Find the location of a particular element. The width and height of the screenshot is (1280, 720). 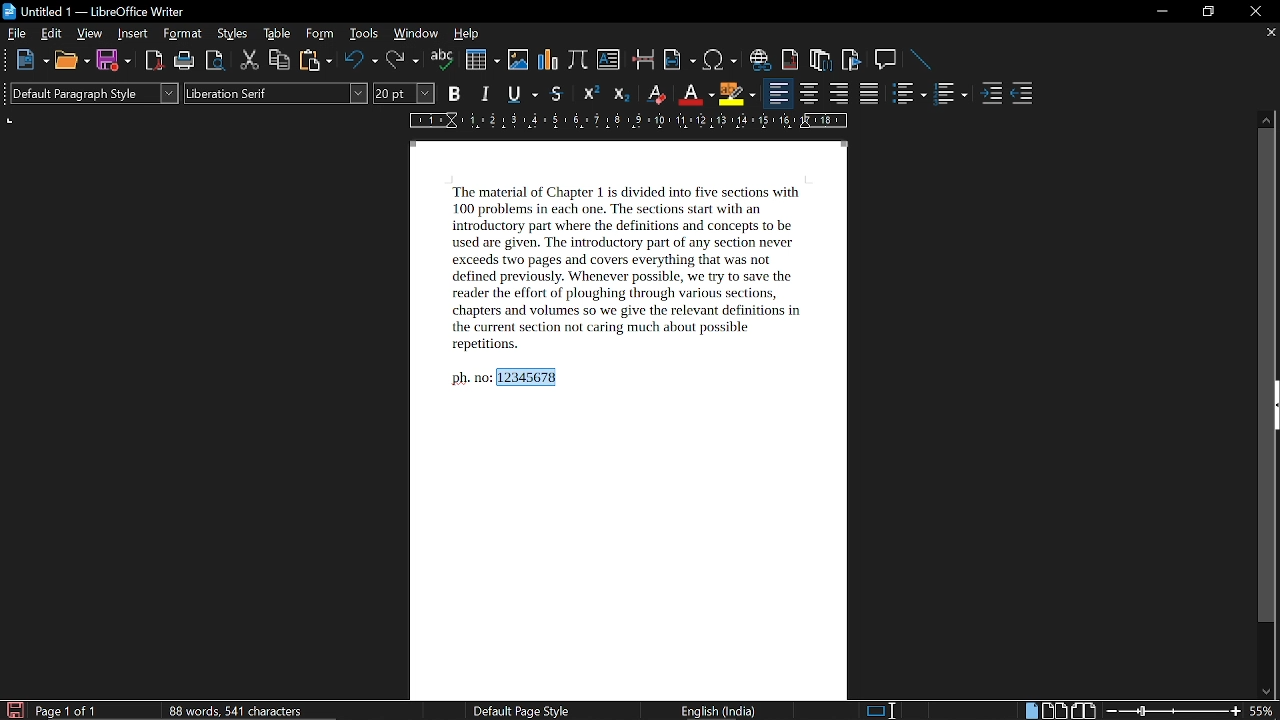

line is located at coordinates (920, 59).